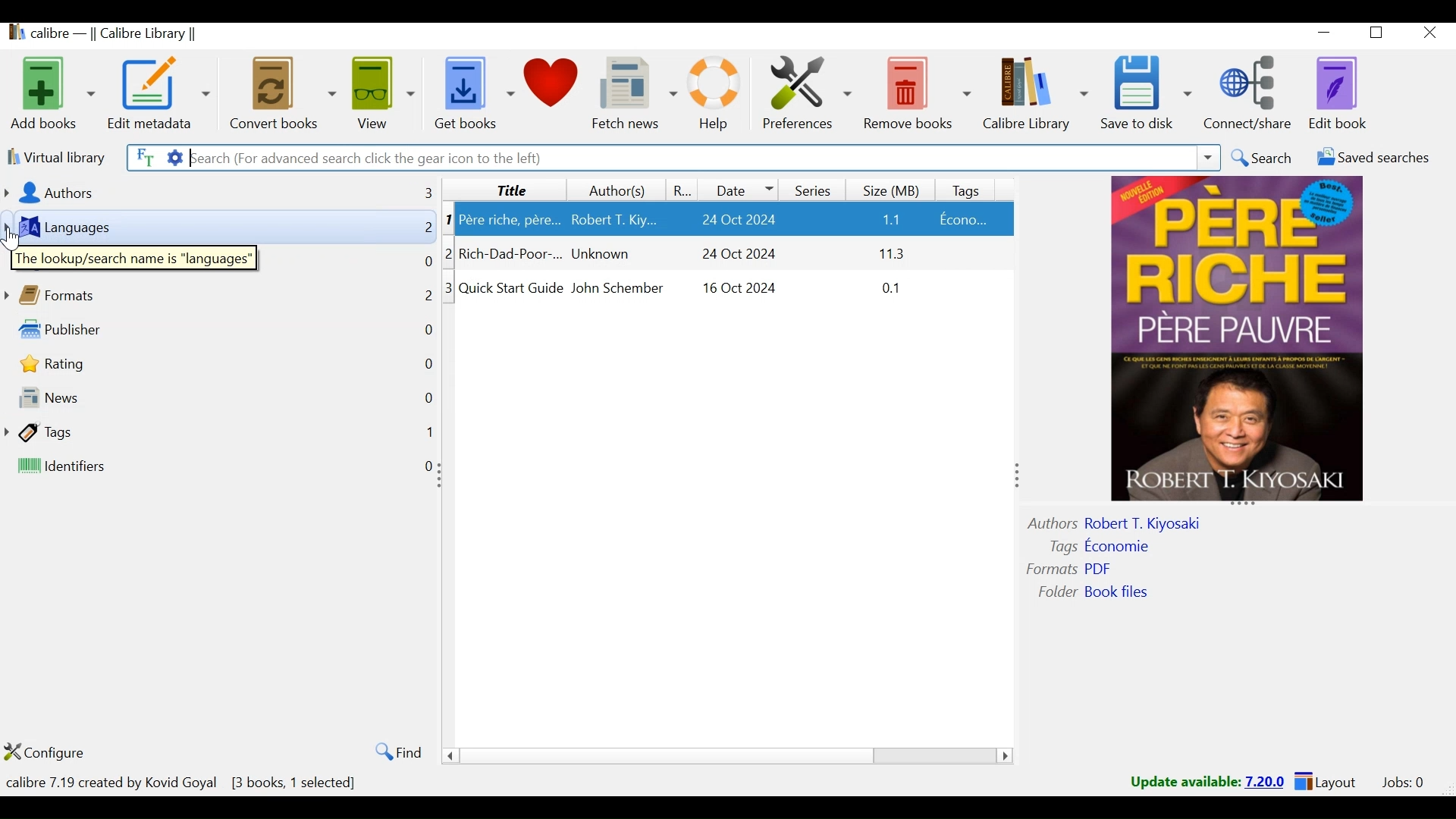  Describe the element at coordinates (427, 231) in the screenshot. I see `2` at that location.